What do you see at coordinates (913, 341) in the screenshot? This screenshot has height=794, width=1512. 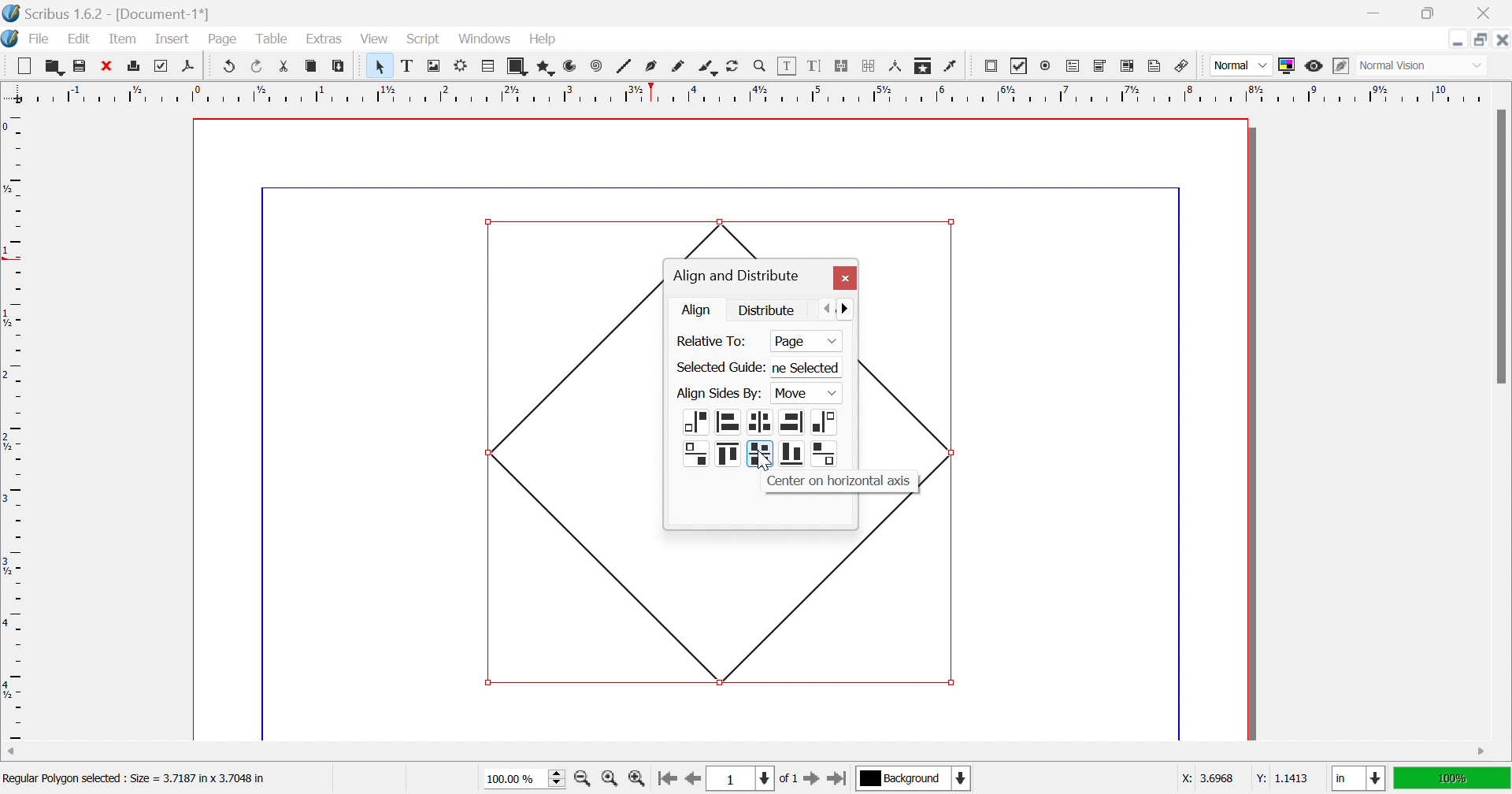 I see `shape` at bounding box center [913, 341].